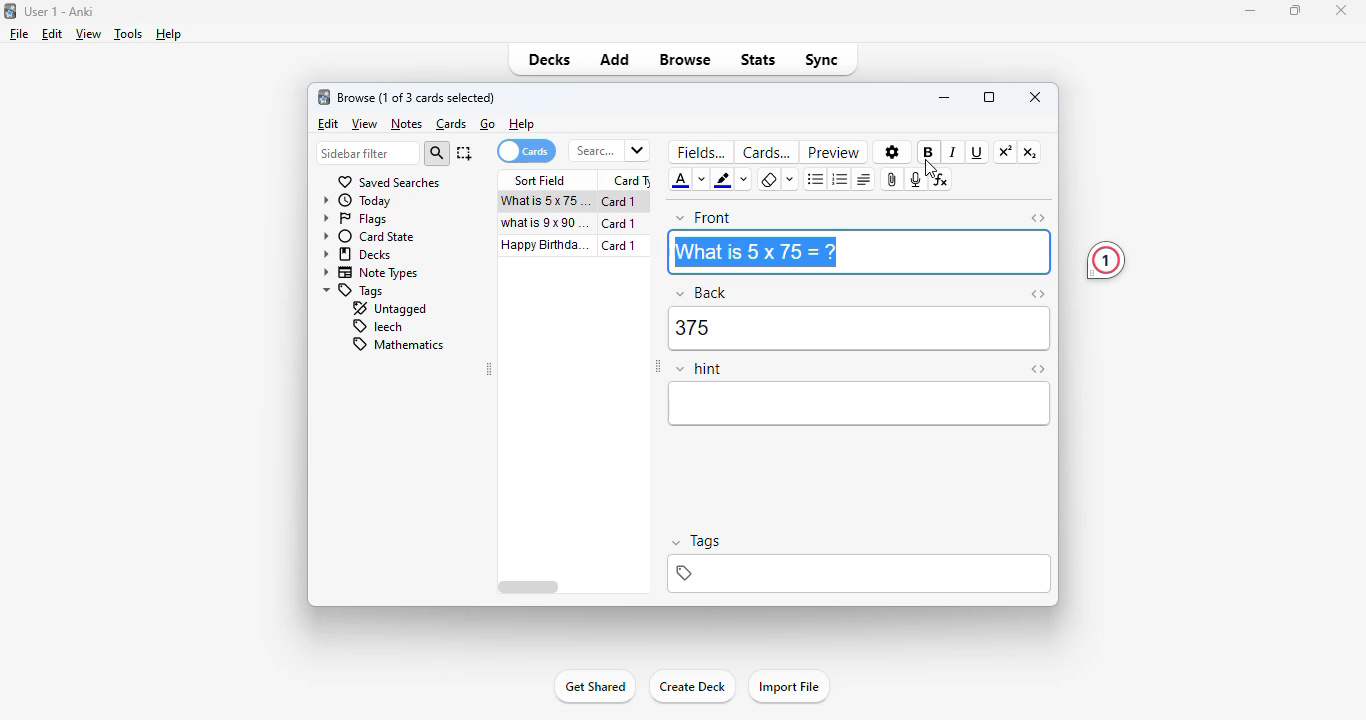 The image size is (1366, 720). What do you see at coordinates (53, 35) in the screenshot?
I see `edit` at bounding box center [53, 35].